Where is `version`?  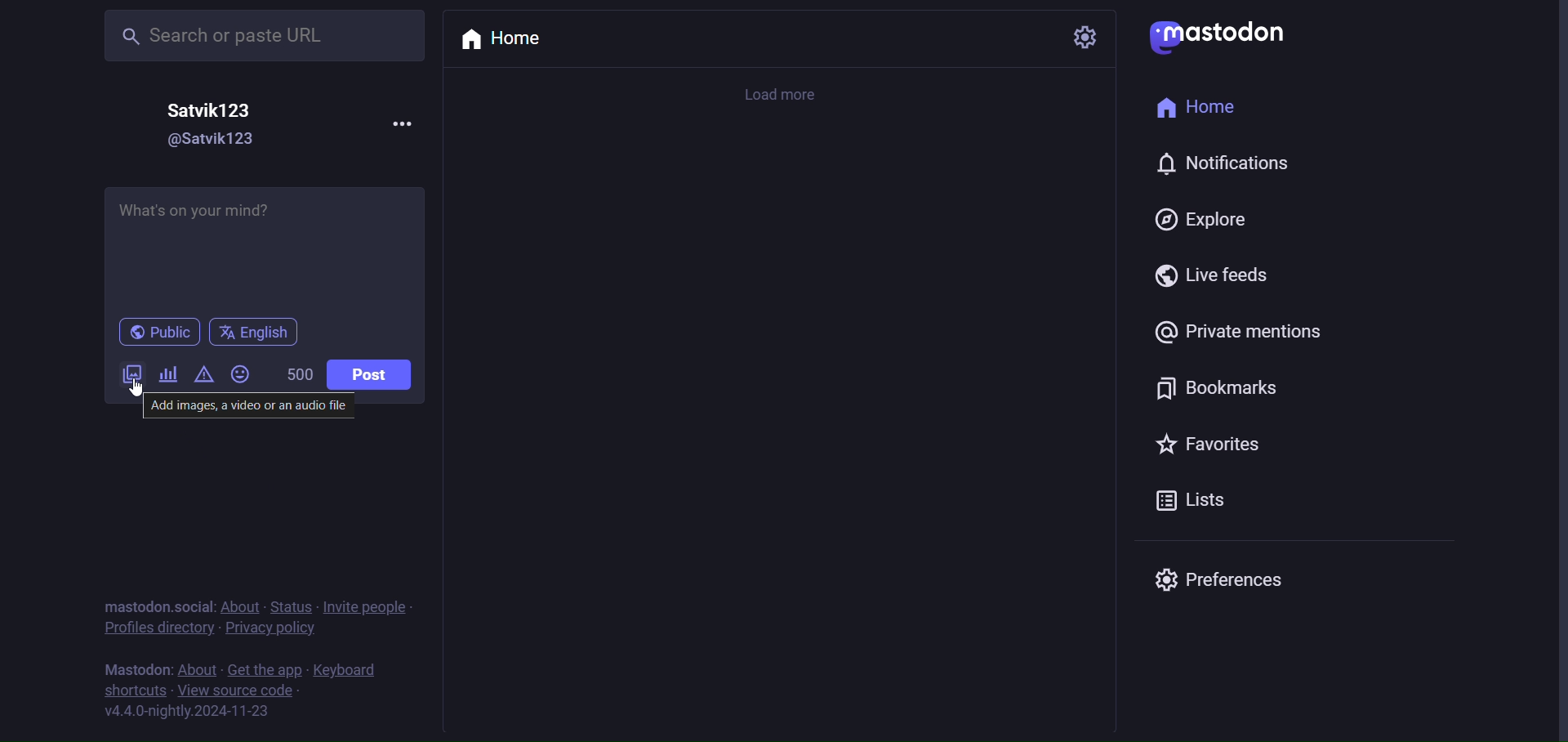 version is located at coordinates (186, 713).